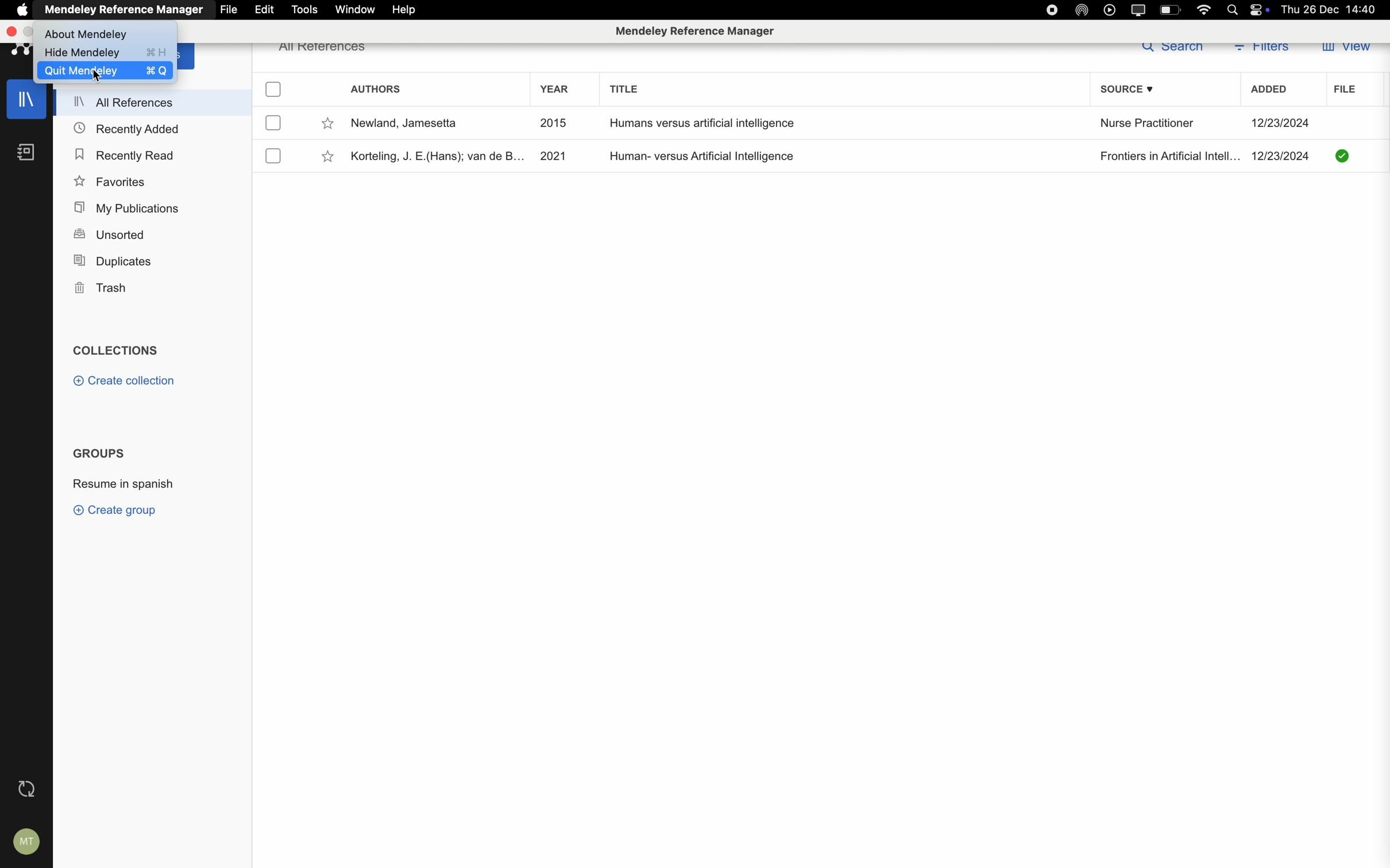 The height and width of the screenshot is (868, 1390). What do you see at coordinates (26, 152) in the screenshot?
I see `notebooks` at bounding box center [26, 152].